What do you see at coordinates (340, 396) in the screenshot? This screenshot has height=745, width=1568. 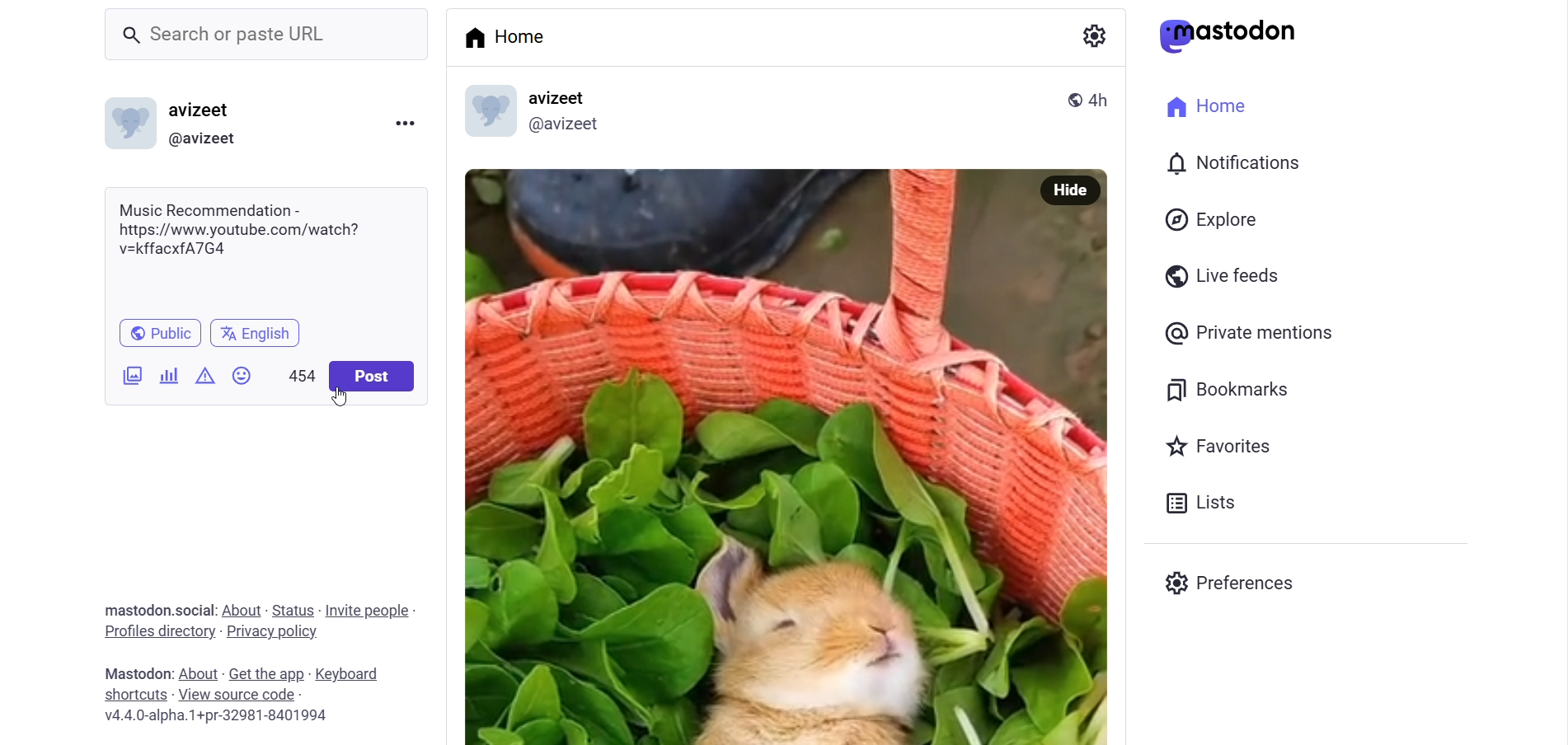 I see `cursor` at bounding box center [340, 396].